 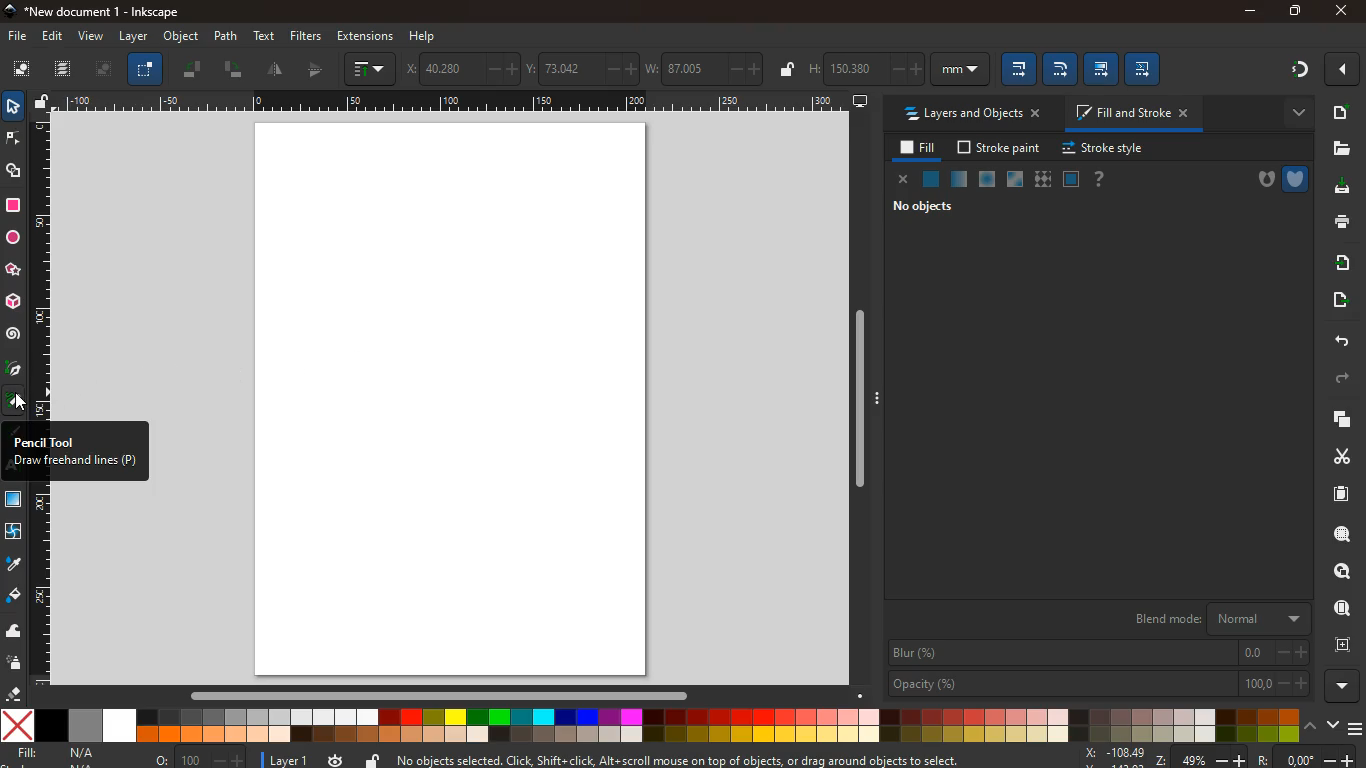 I want to click on shield, so click(x=1298, y=177).